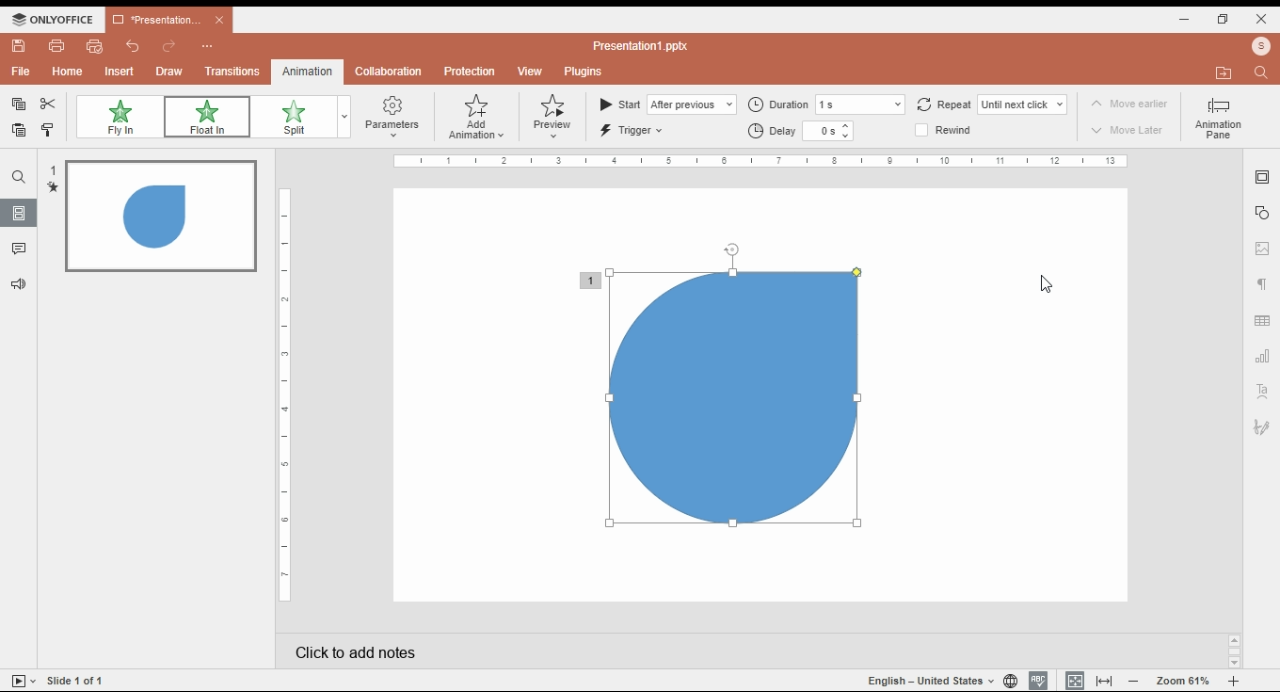 The image size is (1280, 692). I want to click on , so click(1262, 430).